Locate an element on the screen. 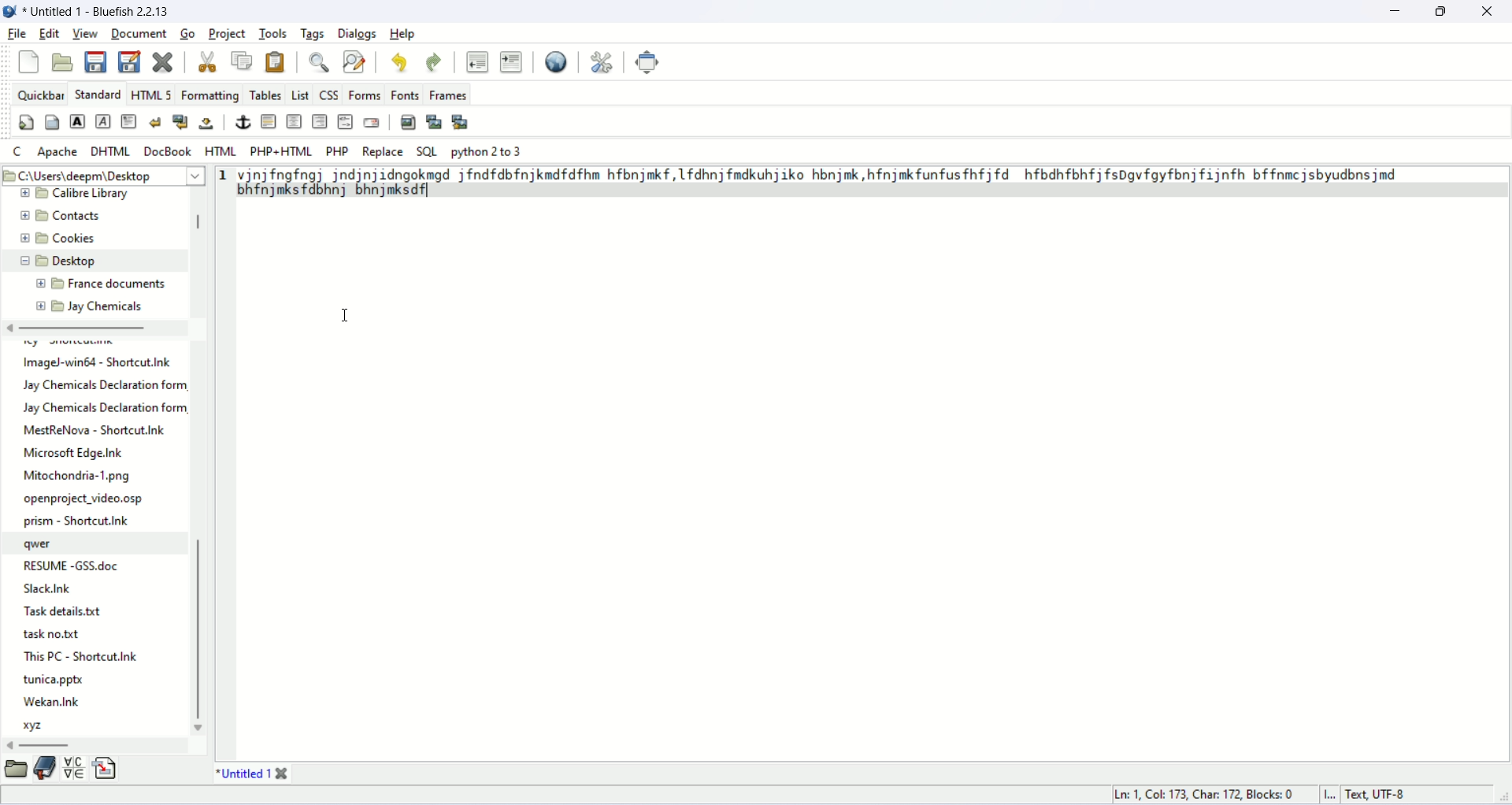  save as is located at coordinates (129, 61).